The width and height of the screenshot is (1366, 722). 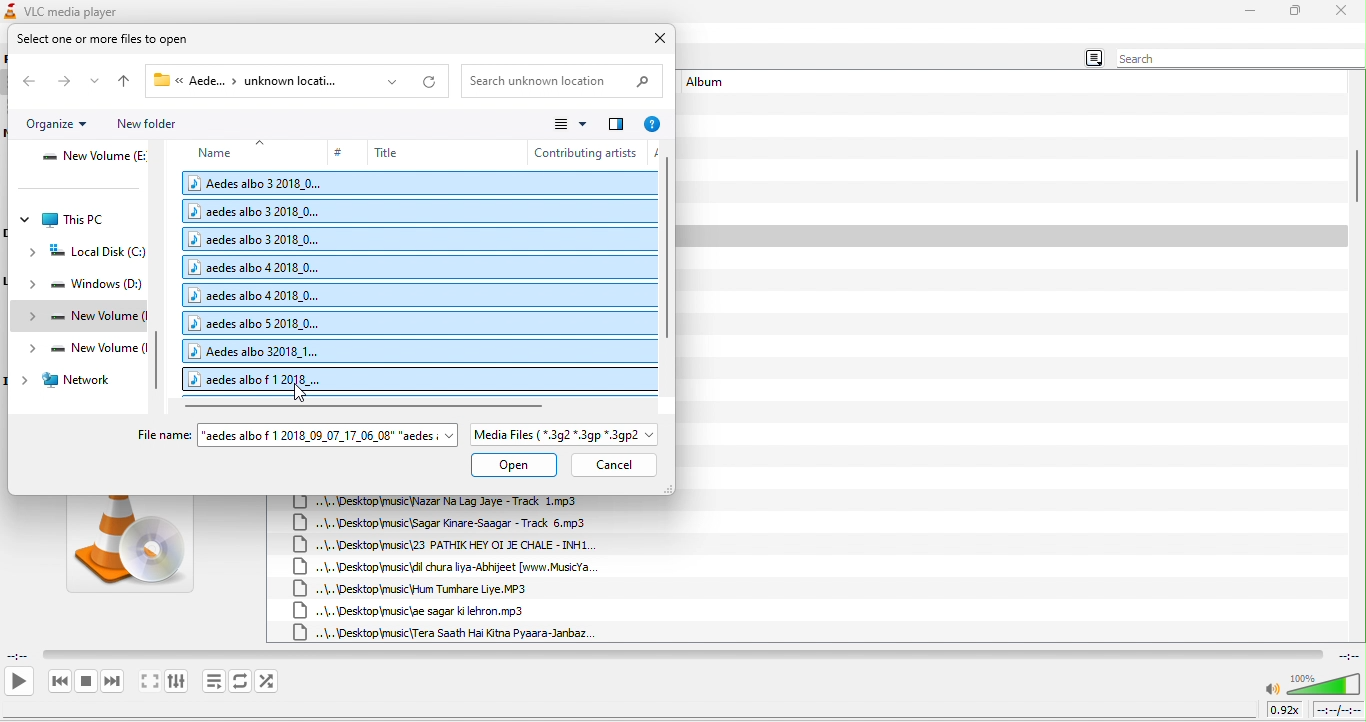 What do you see at coordinates (140, 41) in the screenshot?
I see `select one or more files to open` at bounding box center [140, 41].